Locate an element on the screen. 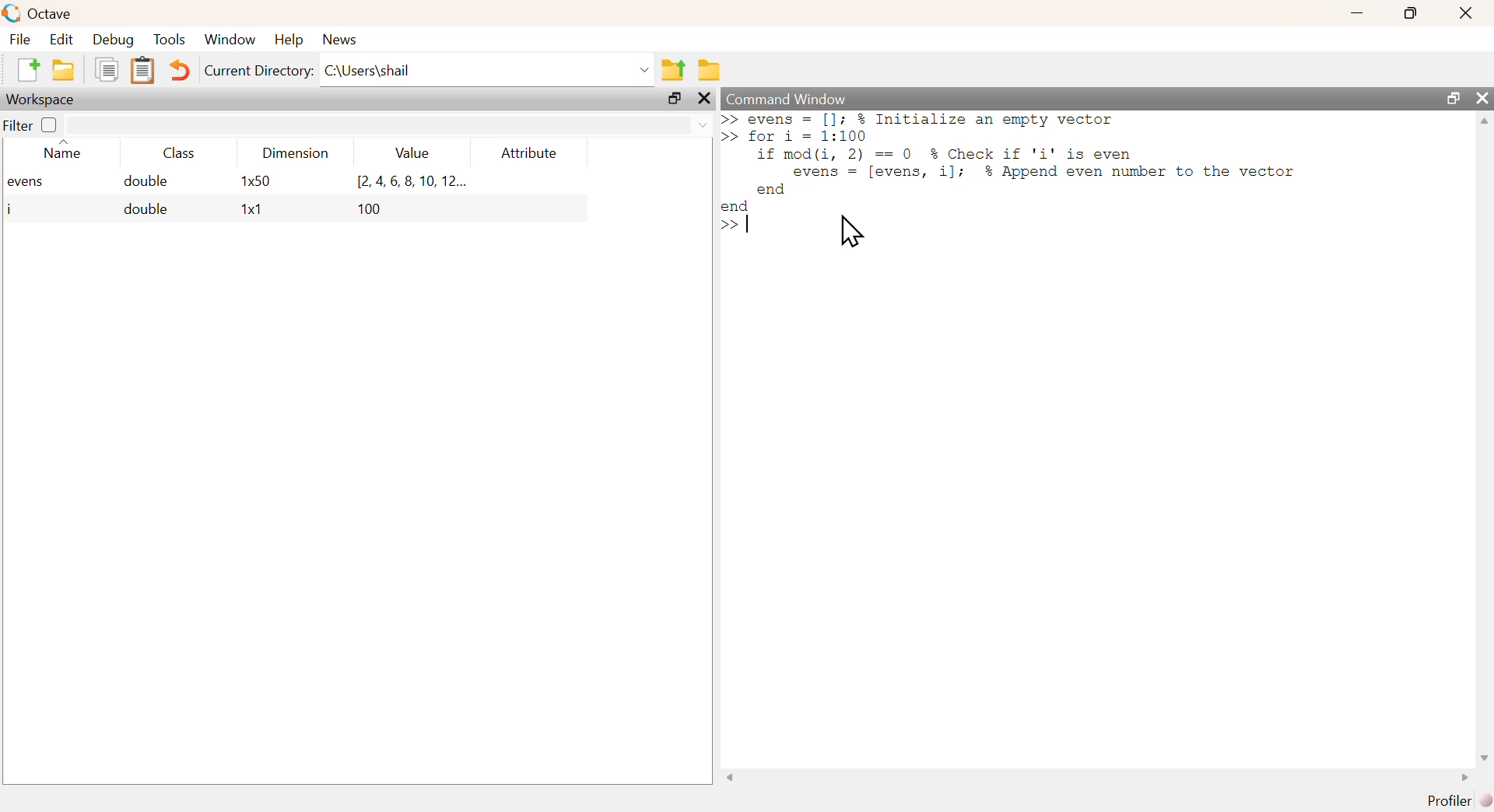  octave is located at coordinates (40, 14).